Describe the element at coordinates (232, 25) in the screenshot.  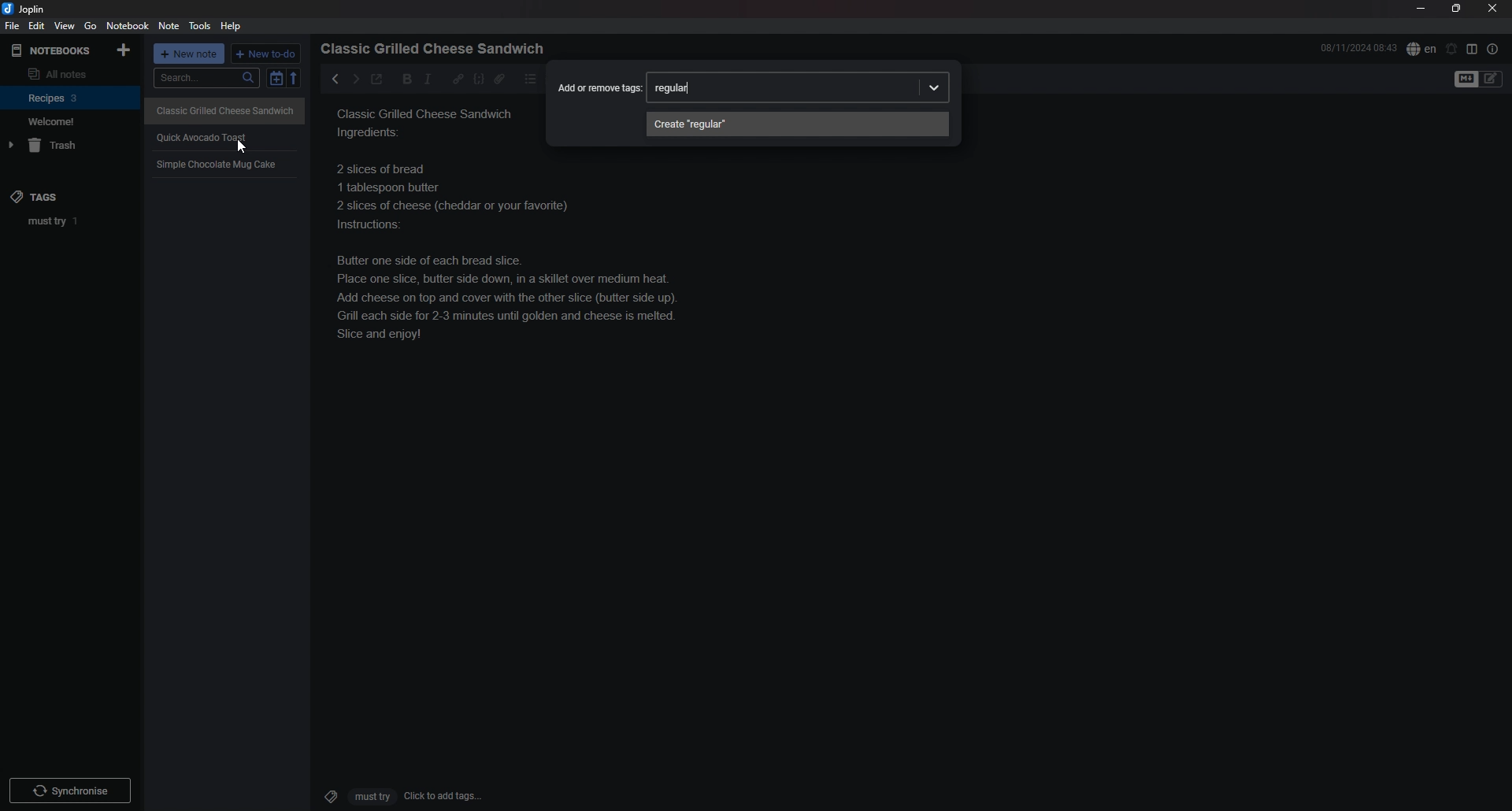
I see `Help` at that location.